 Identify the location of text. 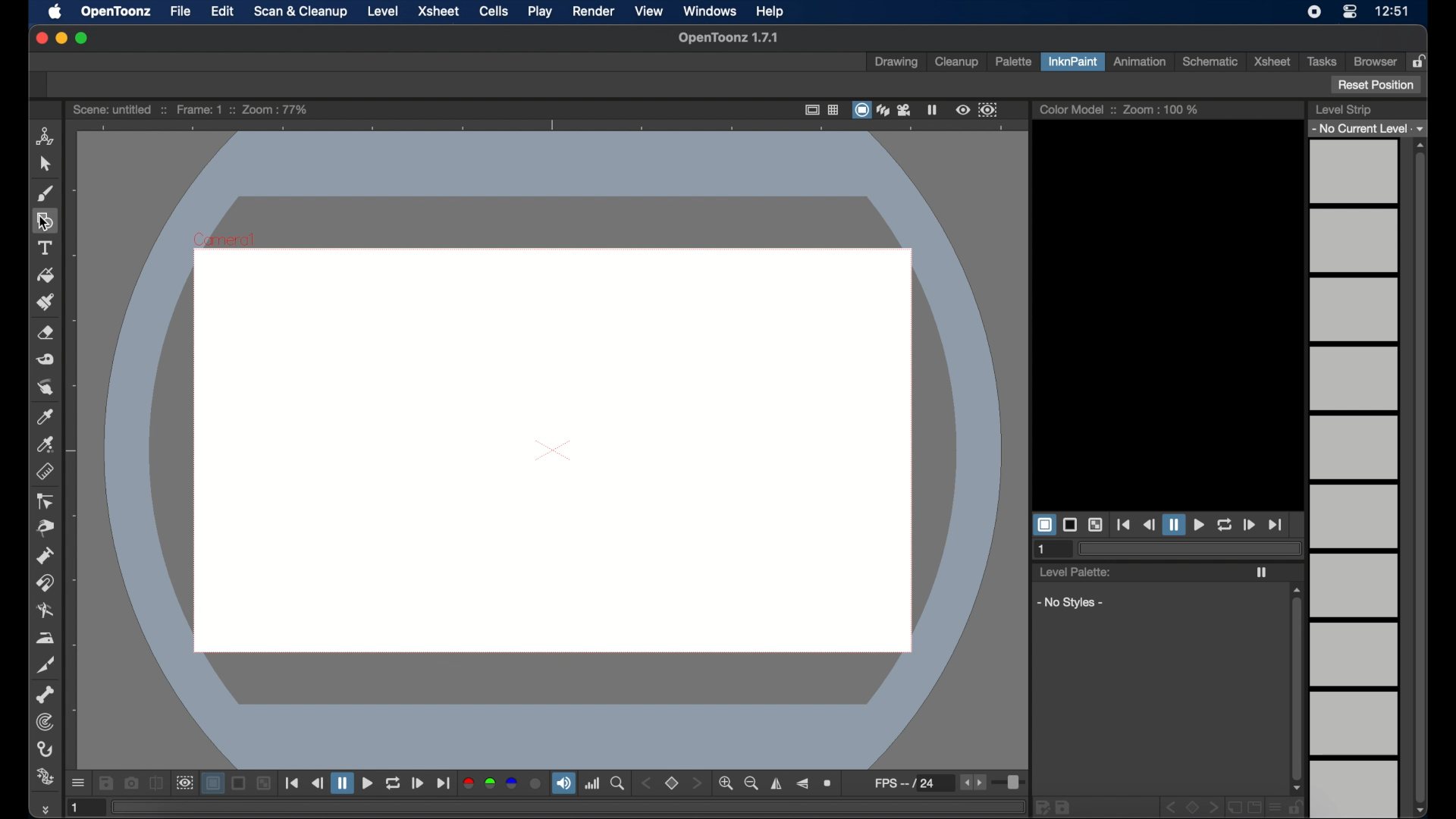
(45, 248).